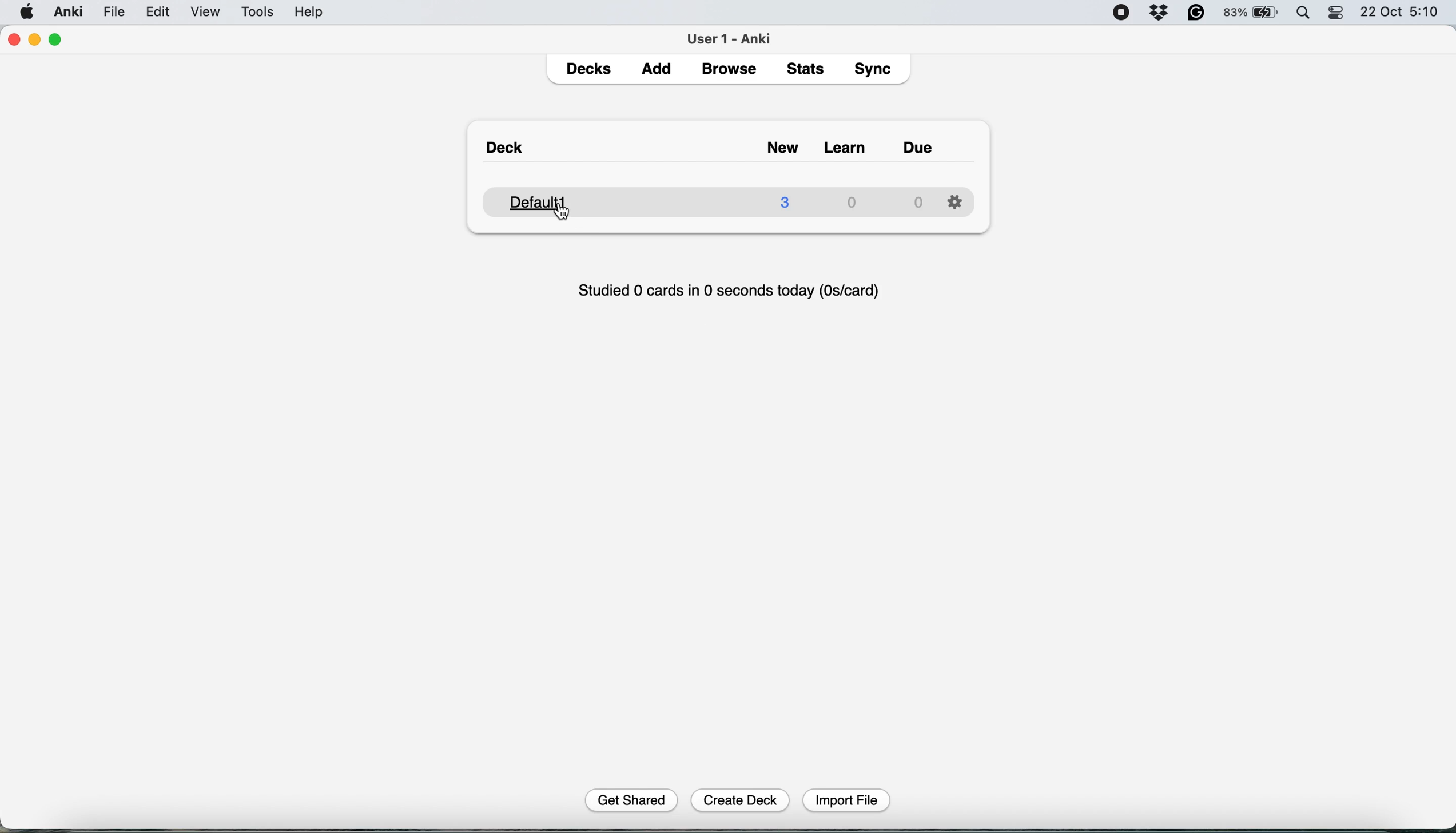 Image resolution: width=1456 pixels, height=833 pixels. What do you see at coordinates (735, 37) in the screenshot?
I see `user 1 - Anki` at bounding box center [735, 37].